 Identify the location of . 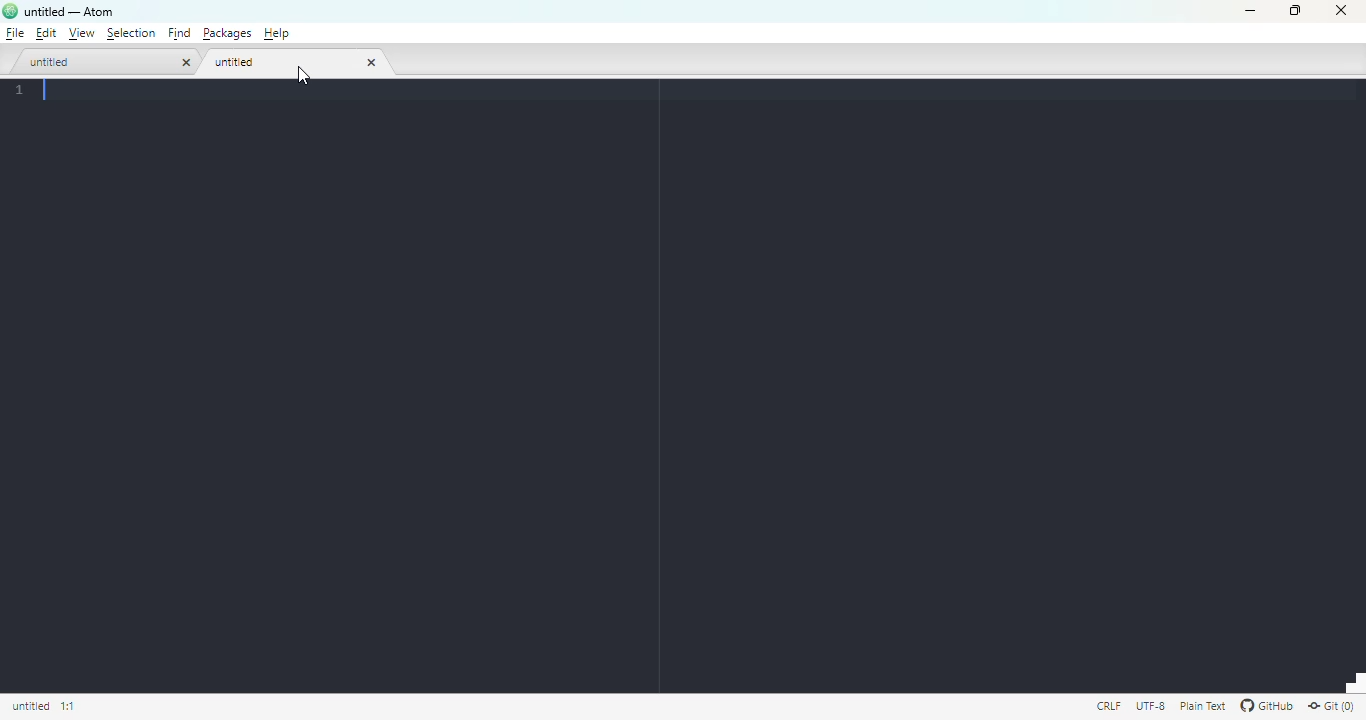
(31, 707).